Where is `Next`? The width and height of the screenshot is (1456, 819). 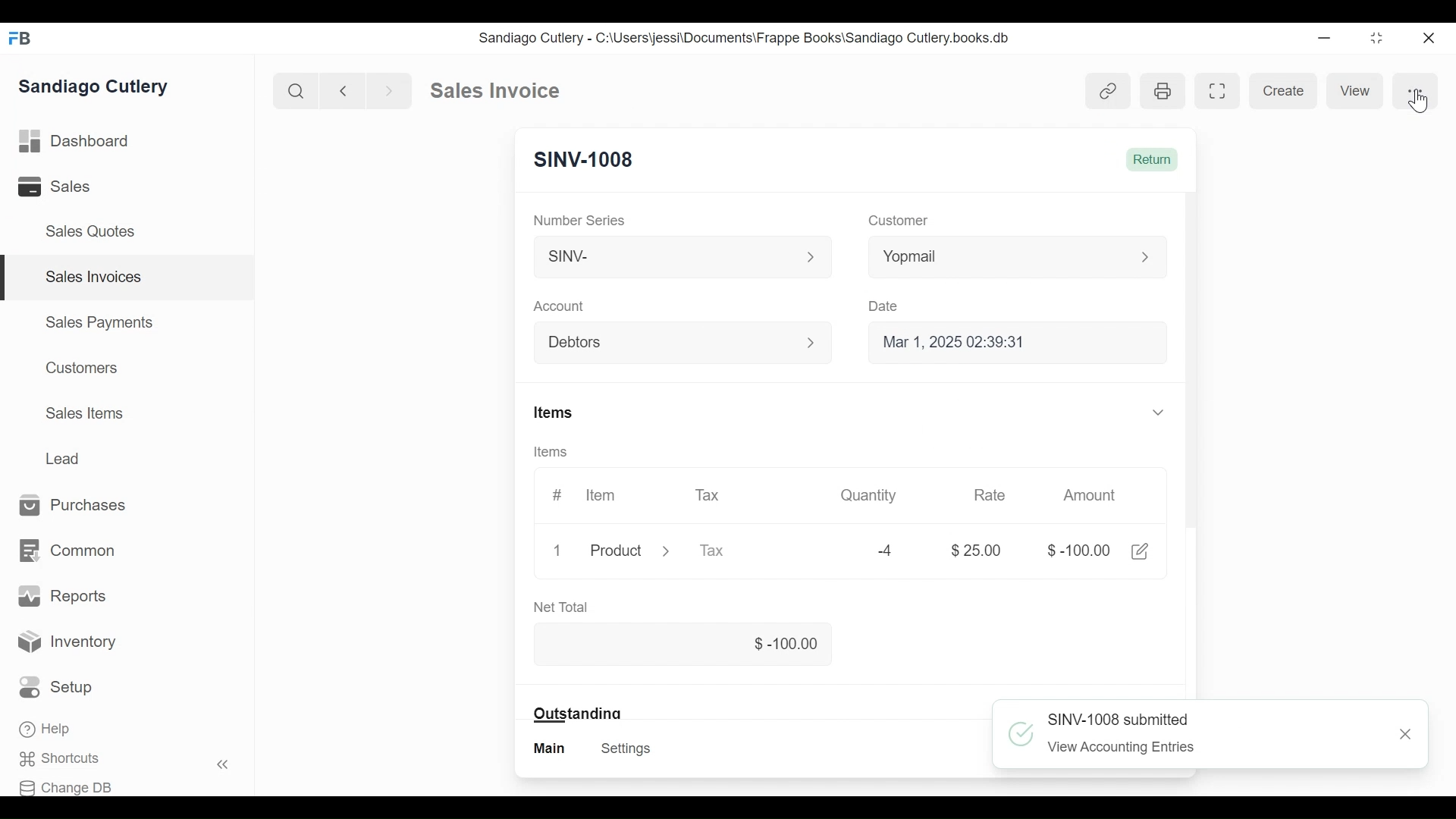 Next is located at coordinates (391, 90).